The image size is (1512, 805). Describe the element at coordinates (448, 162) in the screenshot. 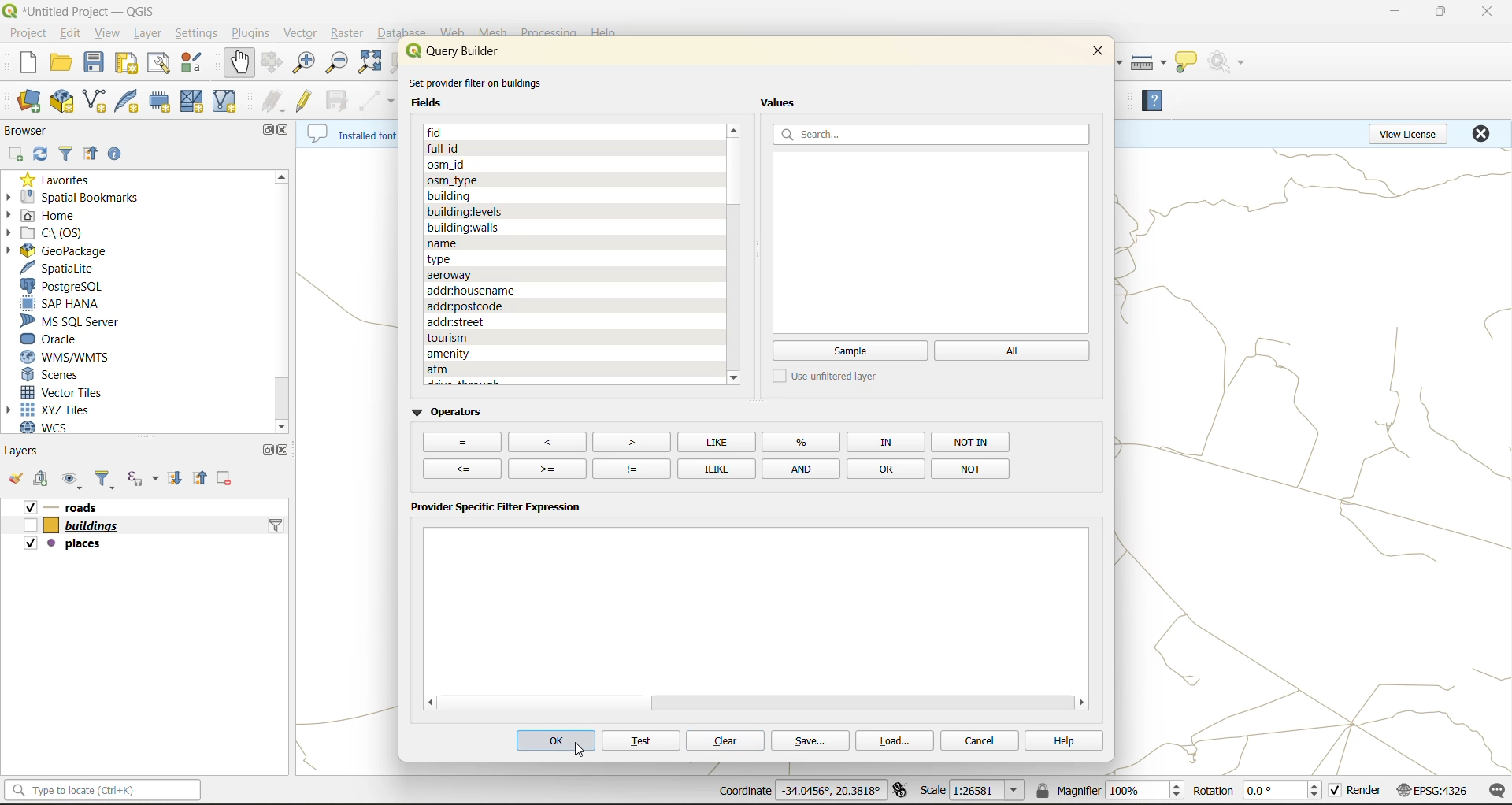

I see `fields` at that location.